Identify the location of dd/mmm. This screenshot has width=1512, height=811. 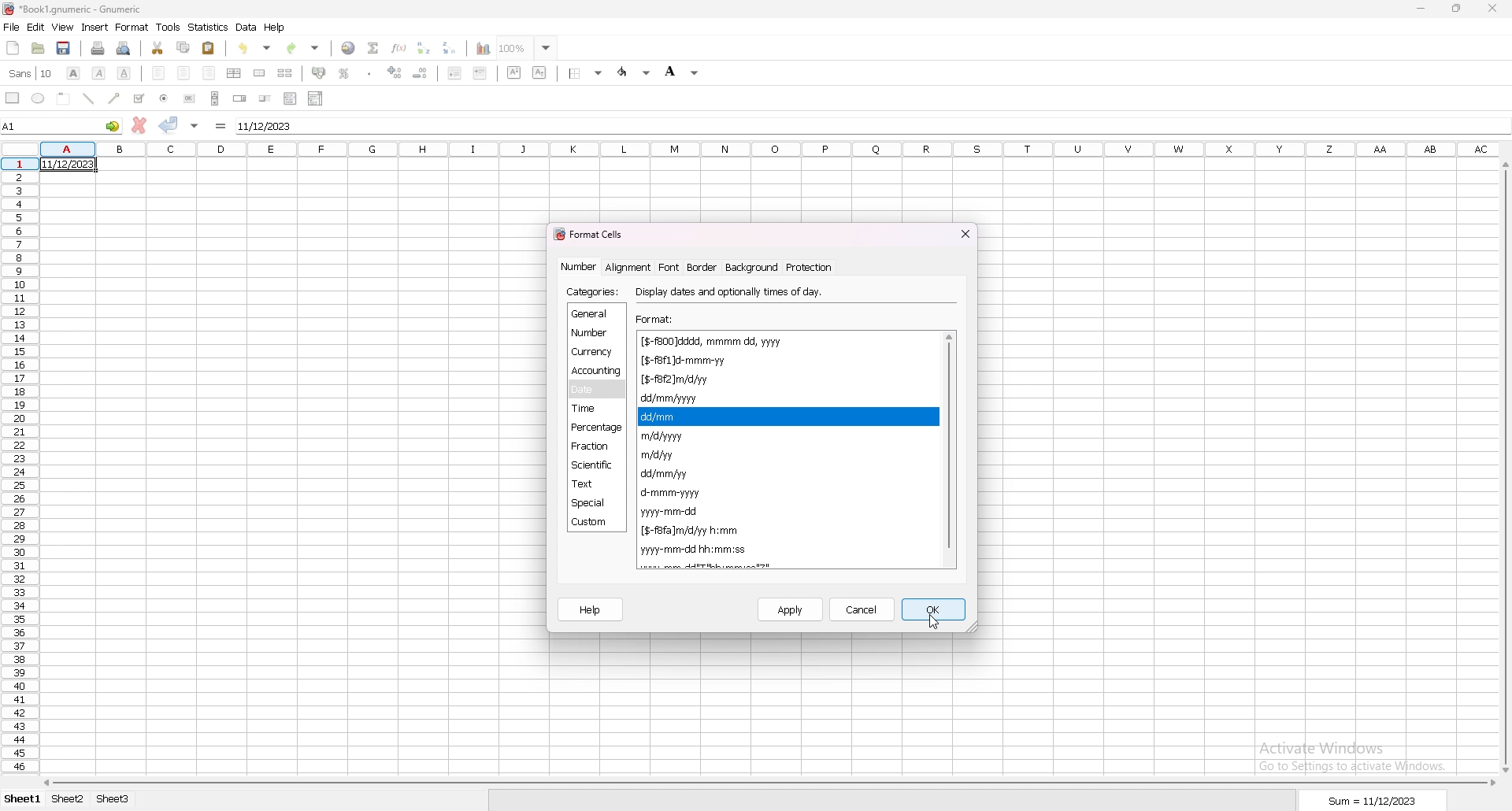
(664, 417).